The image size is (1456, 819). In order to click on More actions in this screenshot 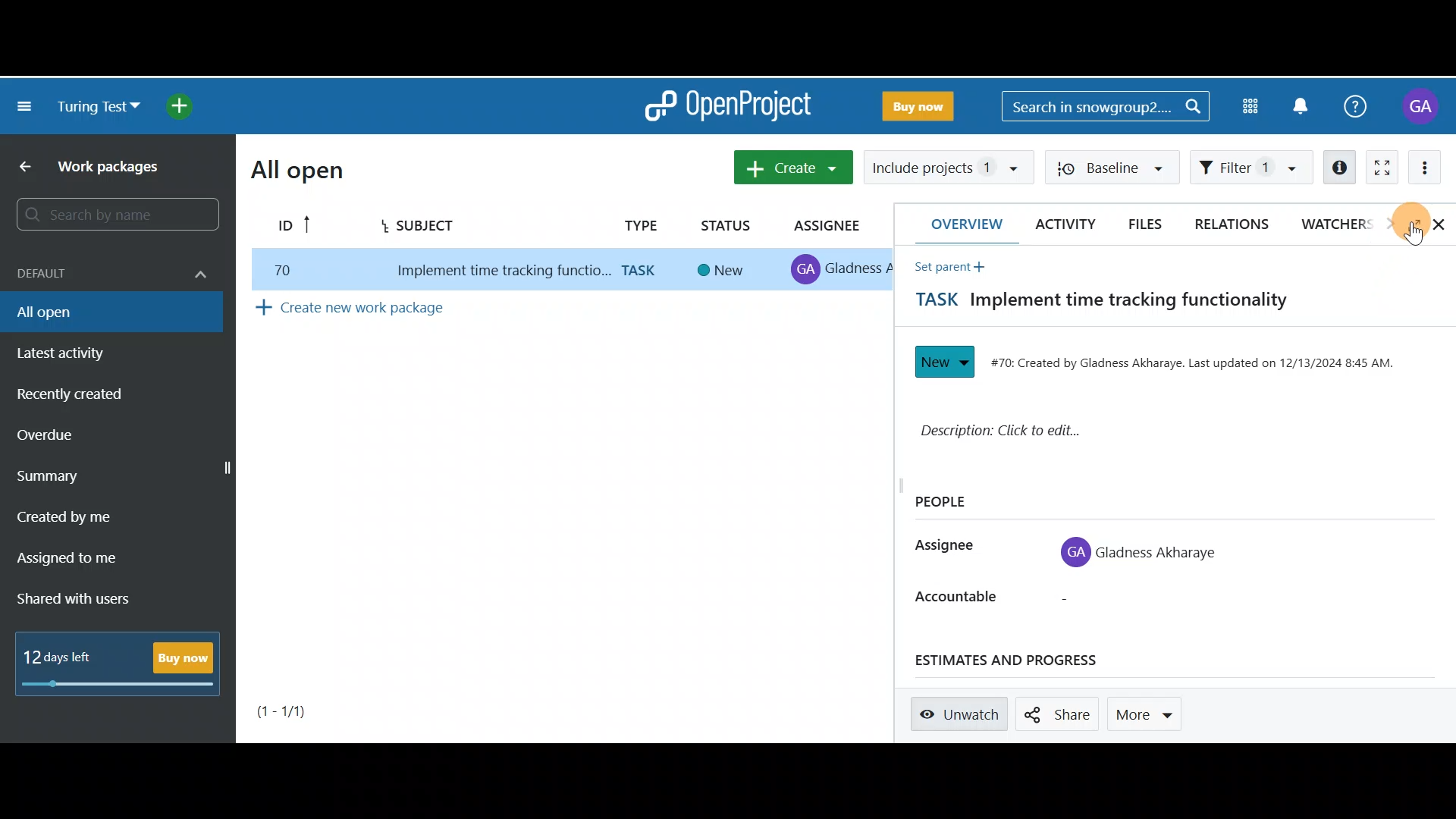, I will do `click(1433, 170)`.